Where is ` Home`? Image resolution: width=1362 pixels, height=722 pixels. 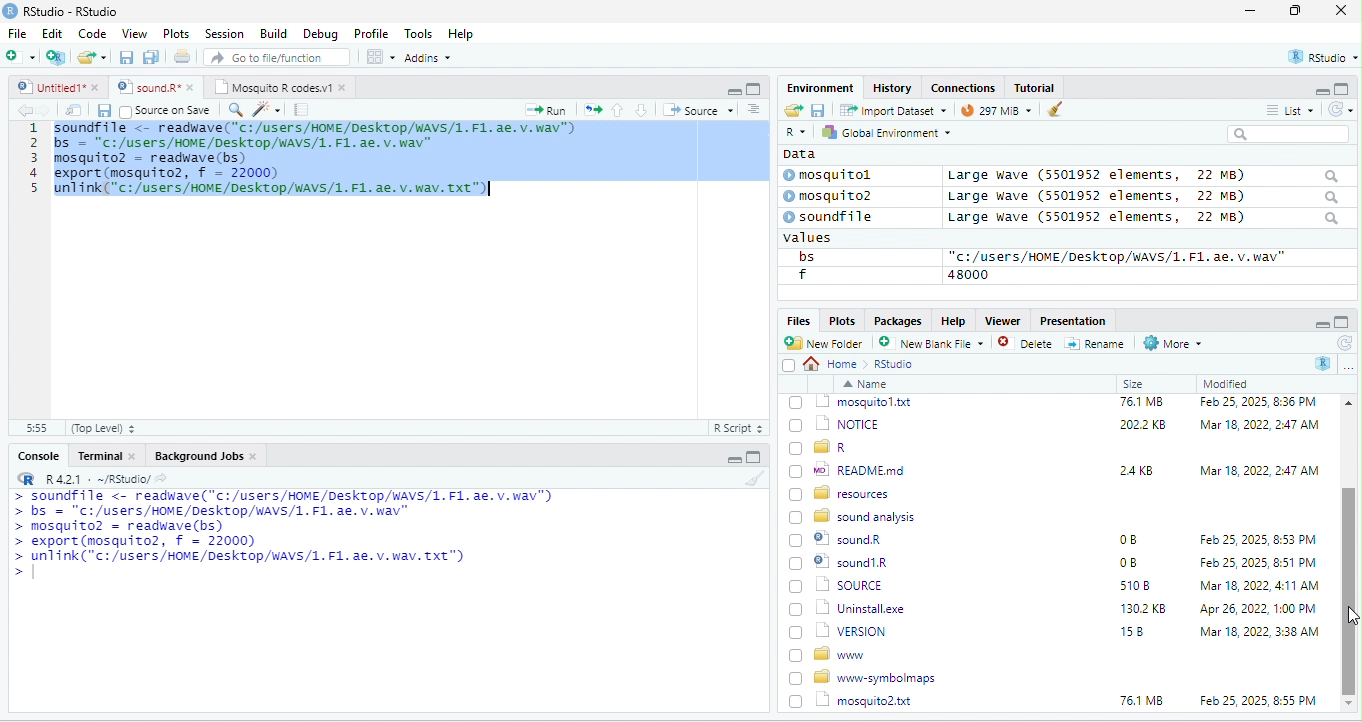  Home is located at coordinates (836, 363).